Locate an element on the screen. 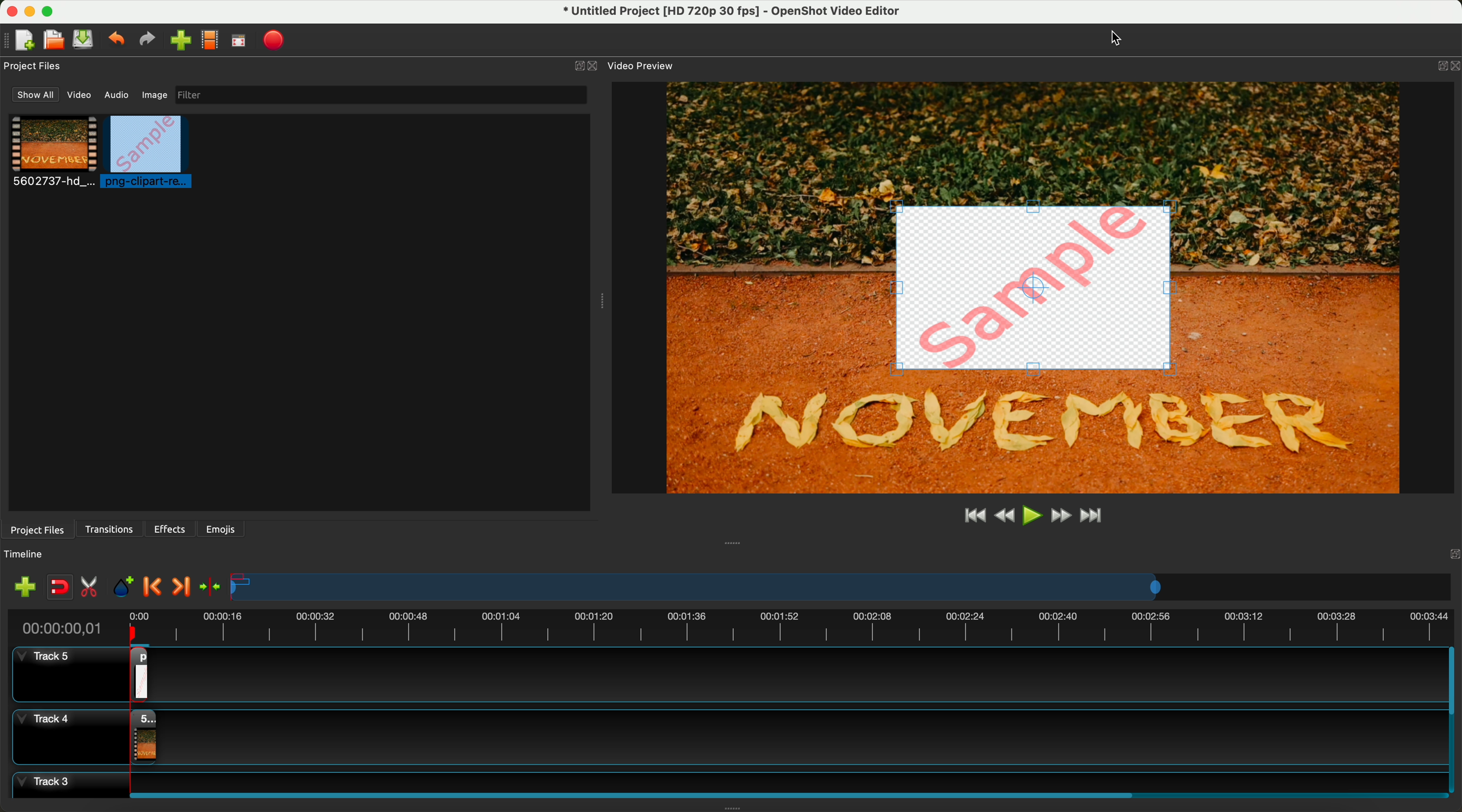 This screenshot has width=1462, height=812. file name is located at coordinates (725, 13).